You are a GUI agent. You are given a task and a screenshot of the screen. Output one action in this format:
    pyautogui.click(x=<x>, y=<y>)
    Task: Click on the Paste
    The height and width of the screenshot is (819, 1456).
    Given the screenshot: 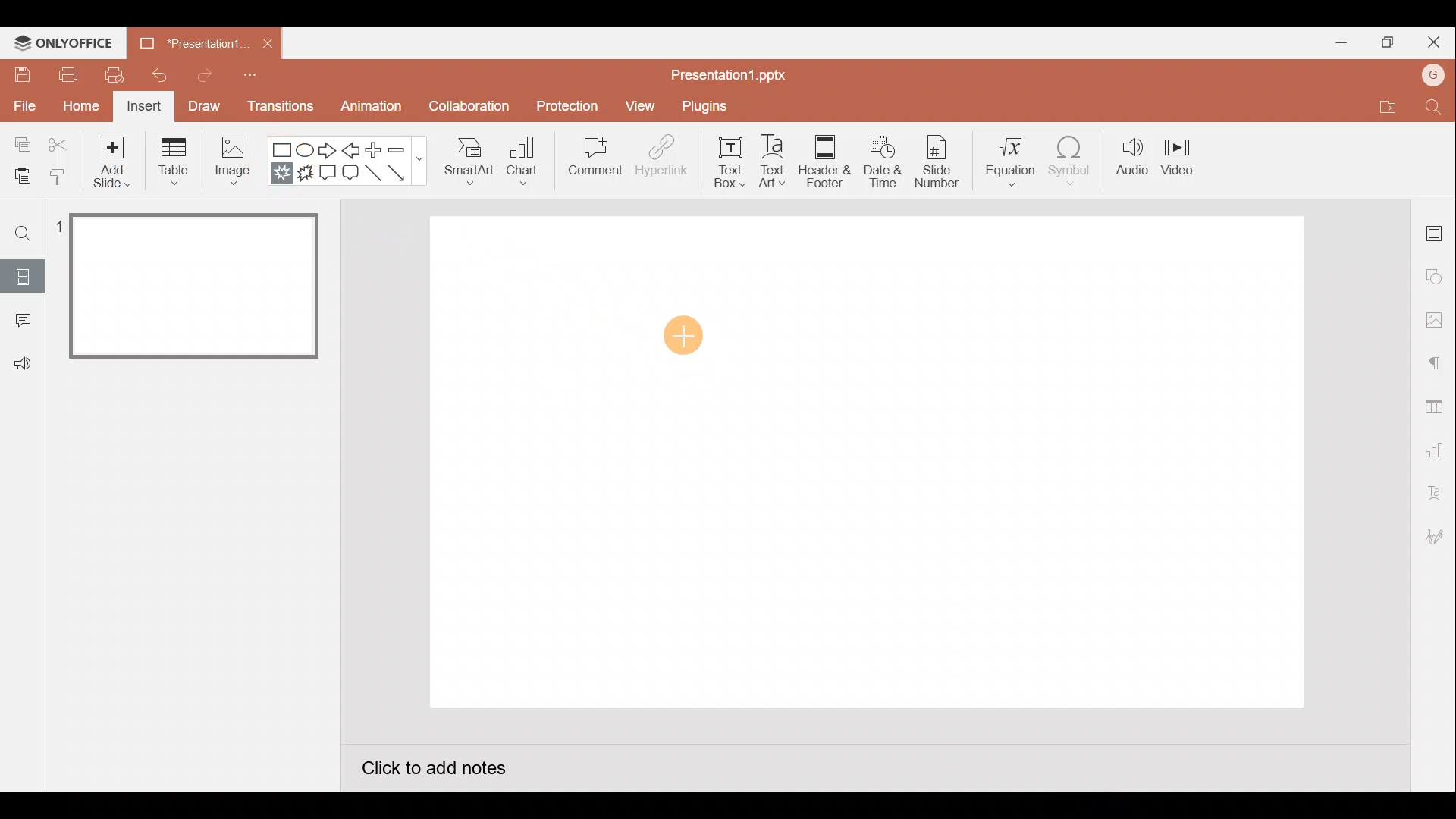 What is the action you would take?
    pyautogui.click(x=21, y=178)
    